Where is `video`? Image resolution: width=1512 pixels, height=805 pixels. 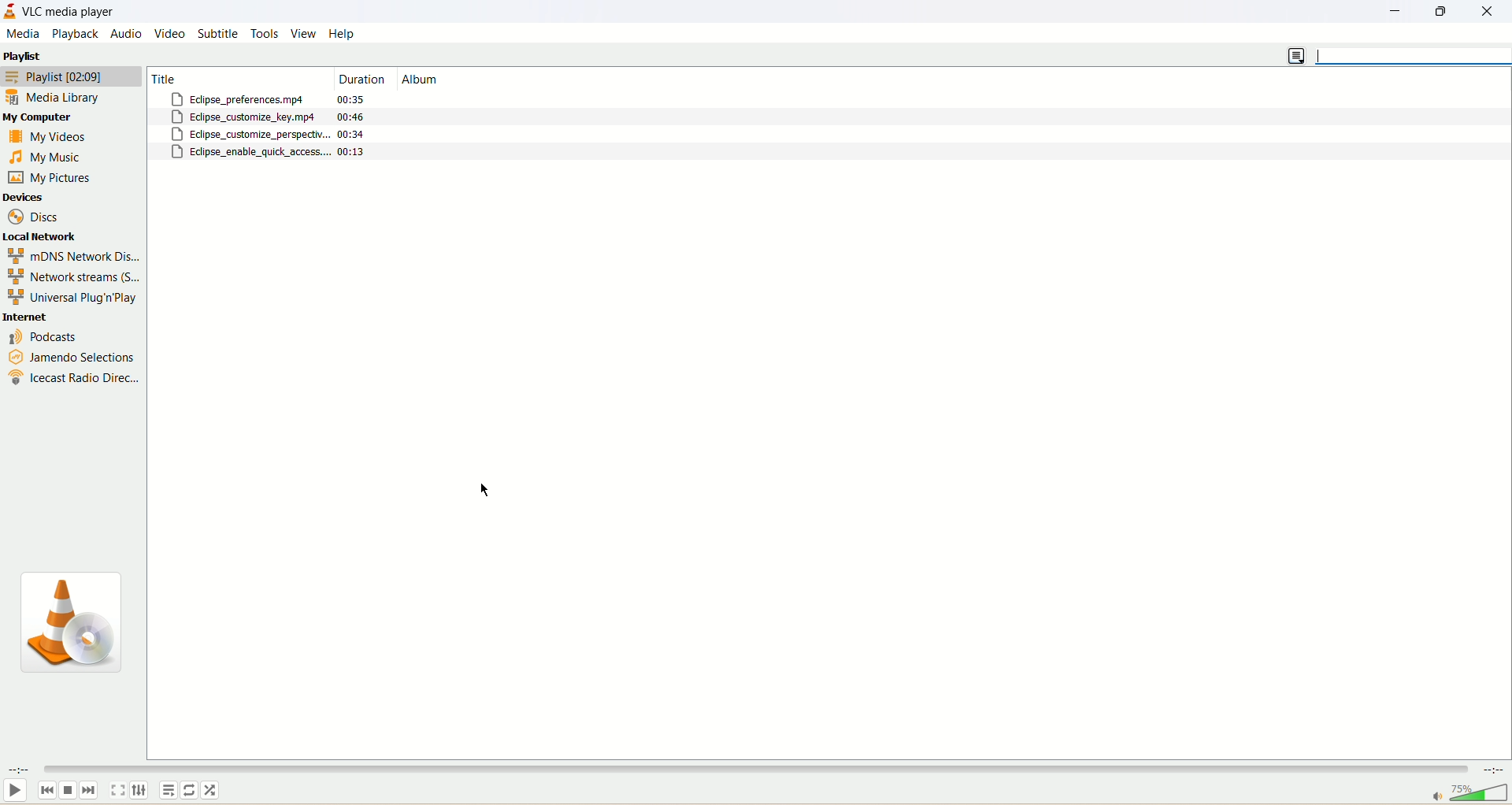
video is located at coordinates (172, 33).